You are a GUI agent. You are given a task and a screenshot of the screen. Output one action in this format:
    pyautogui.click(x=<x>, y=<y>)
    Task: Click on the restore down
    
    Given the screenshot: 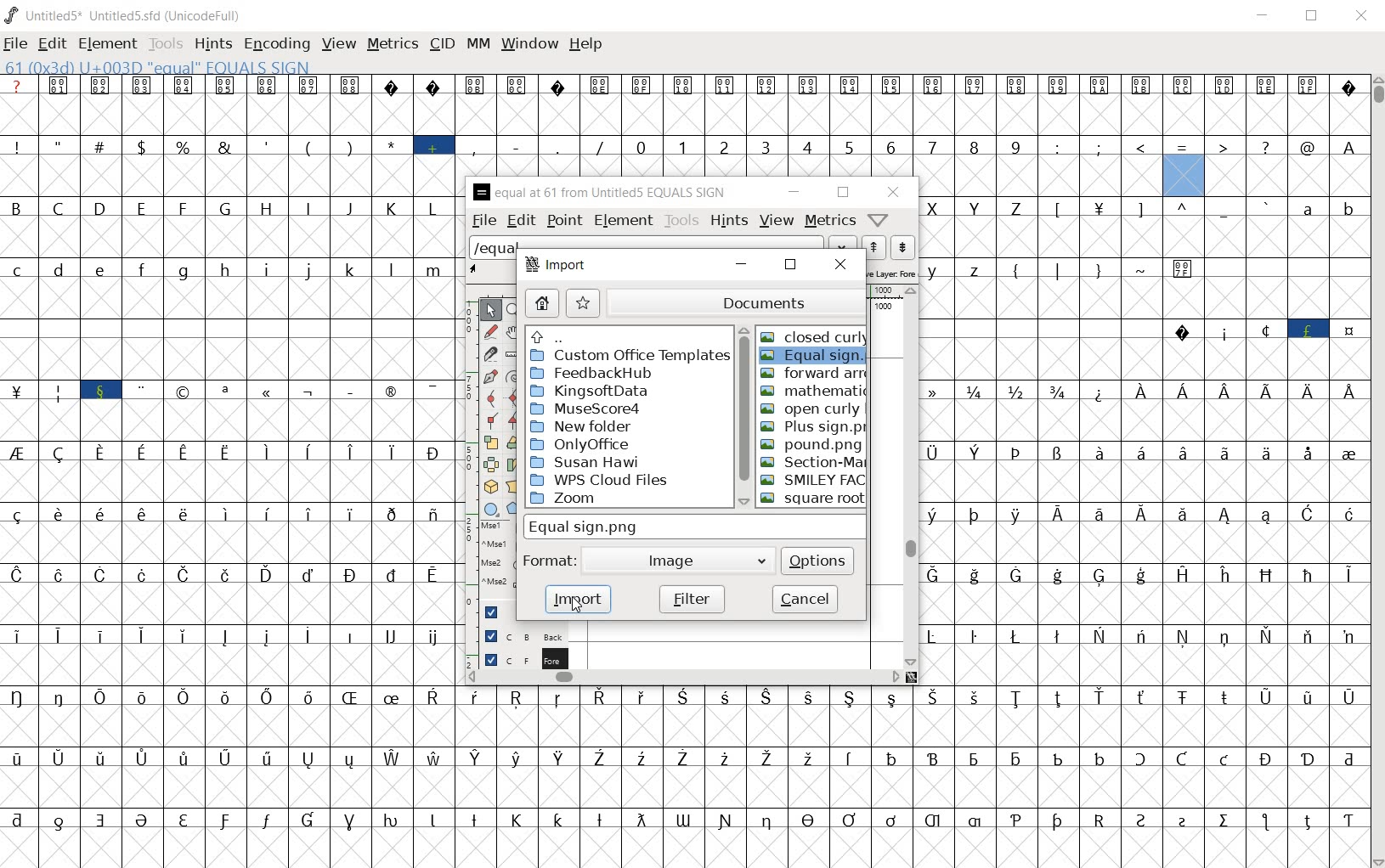 What is the action you would take?
    pyautogui.click(x=790, y=266)
    